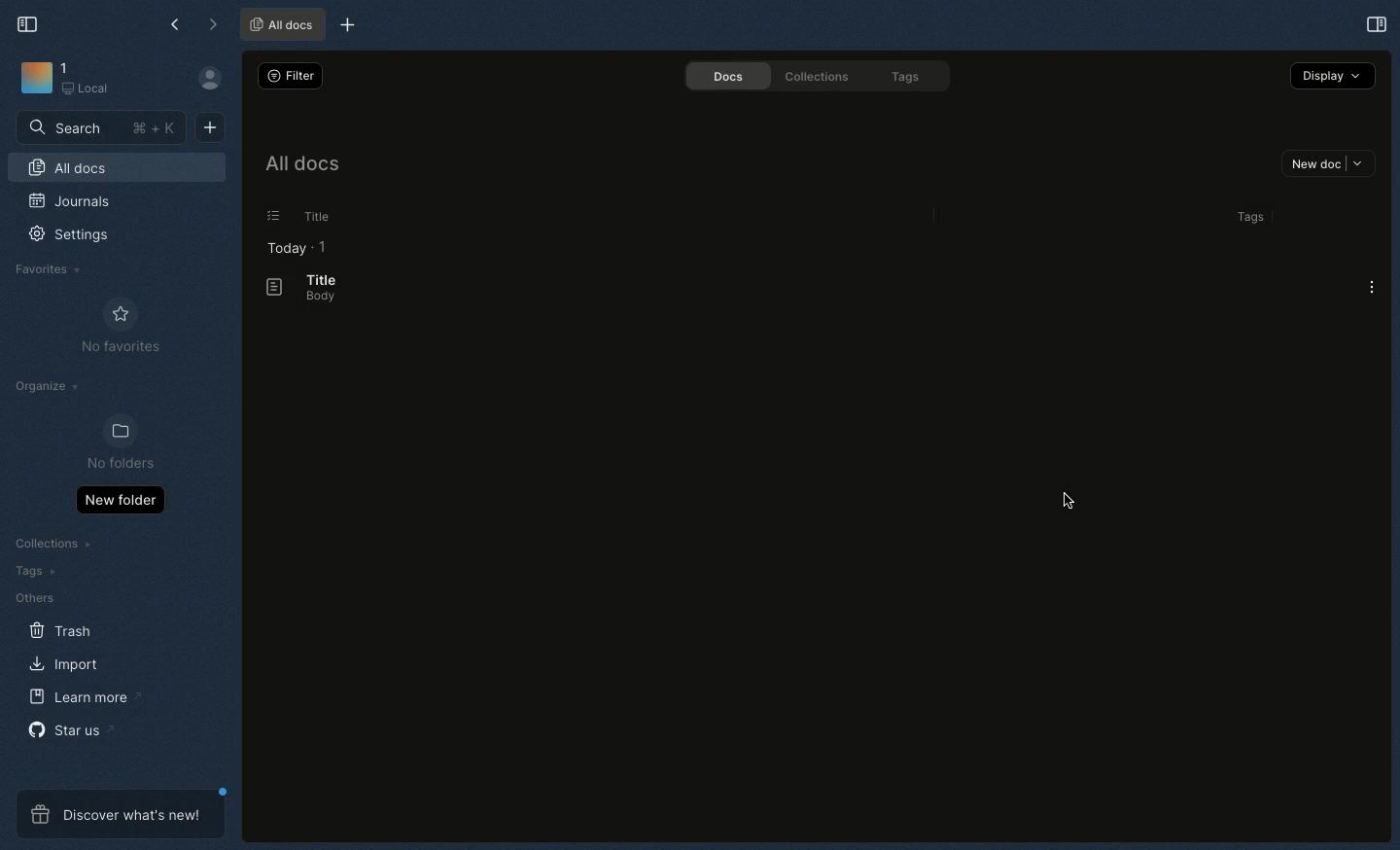  I want to click on Tags, so click(909, 78).